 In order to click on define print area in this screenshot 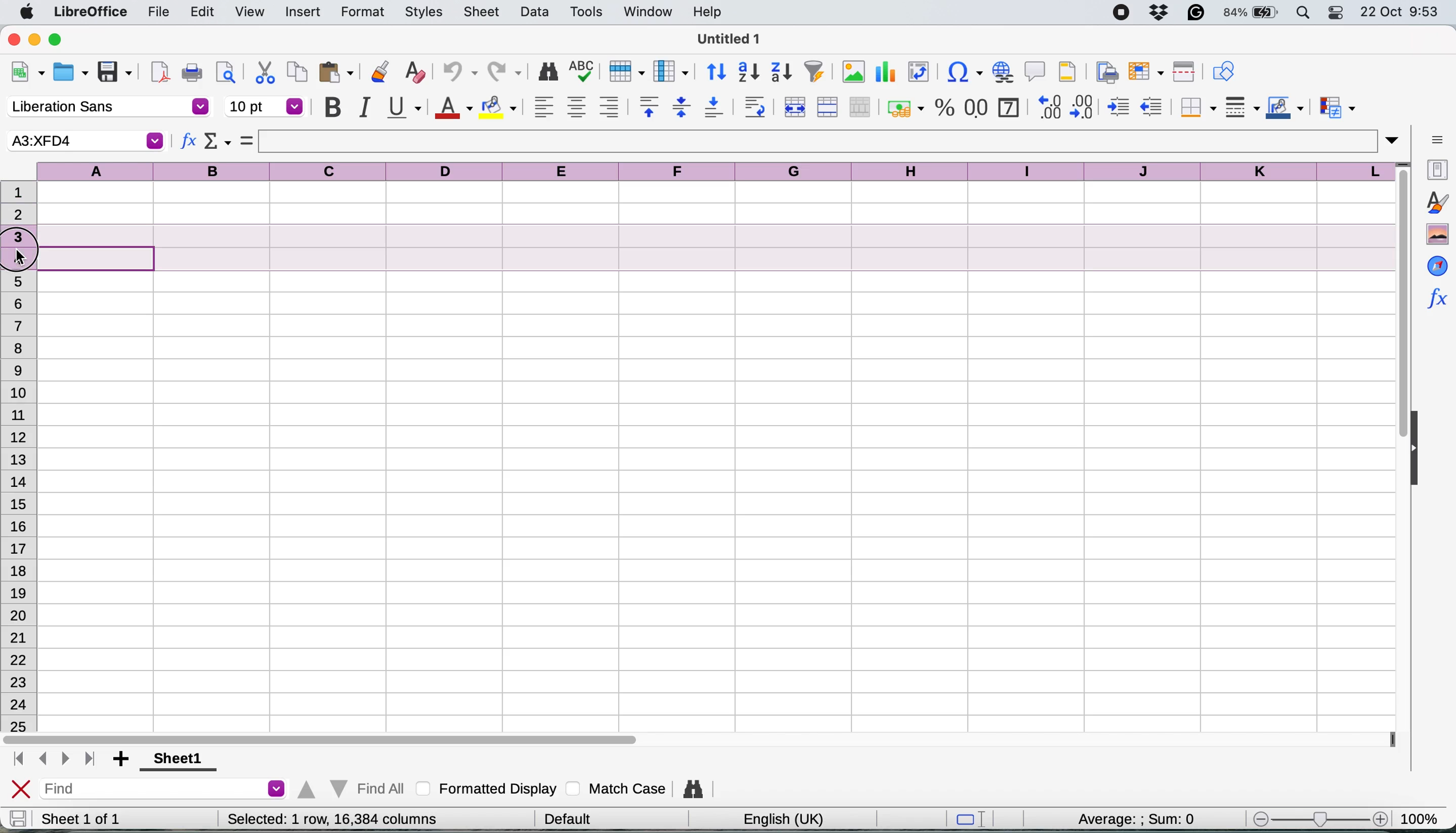, I will do `click(1104, 71)`.